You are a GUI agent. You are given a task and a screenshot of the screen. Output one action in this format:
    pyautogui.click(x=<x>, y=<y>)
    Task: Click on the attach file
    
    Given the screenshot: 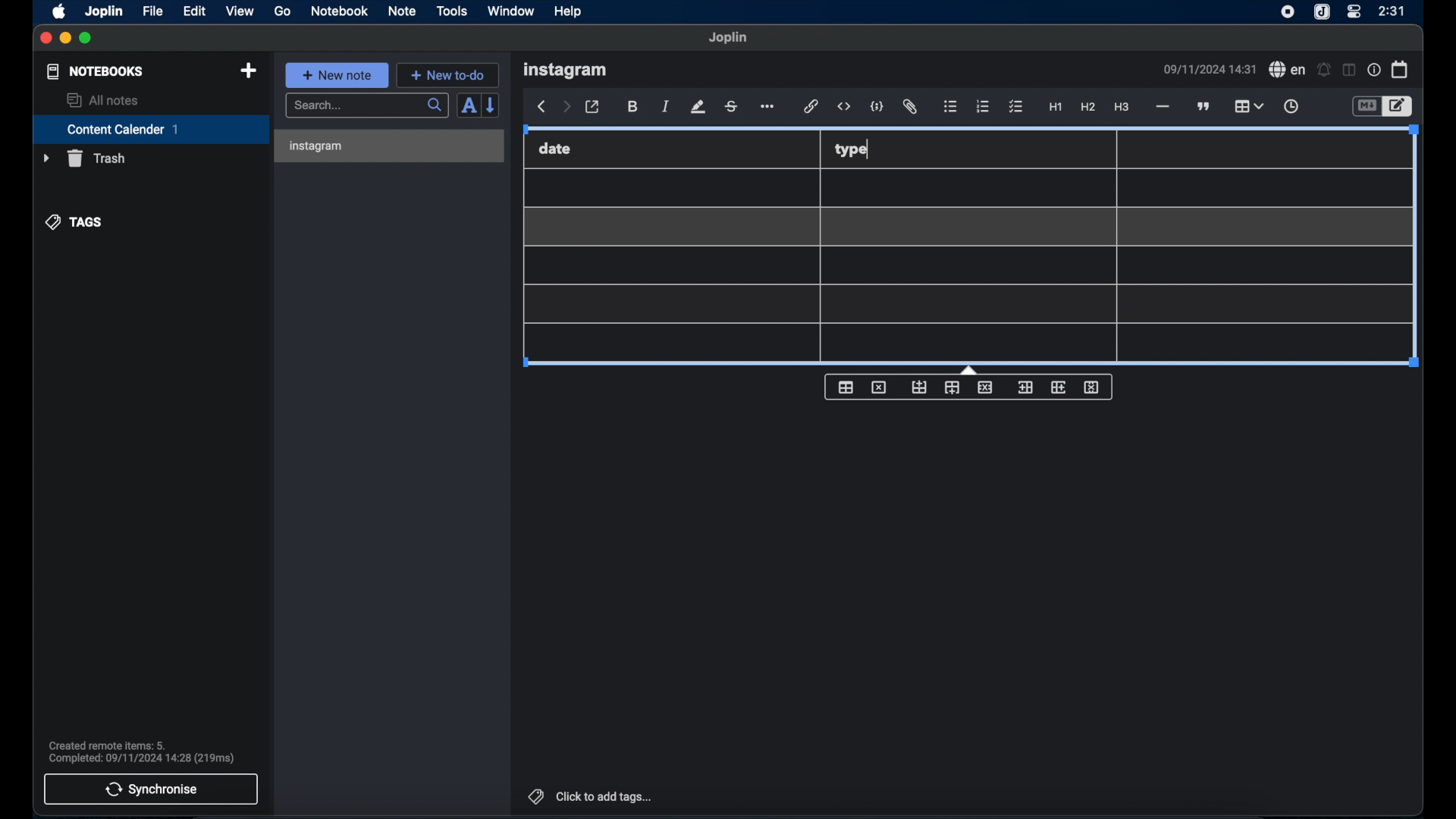 What is the action you would take?
    pyautogui.click(x=912, y=107)
    